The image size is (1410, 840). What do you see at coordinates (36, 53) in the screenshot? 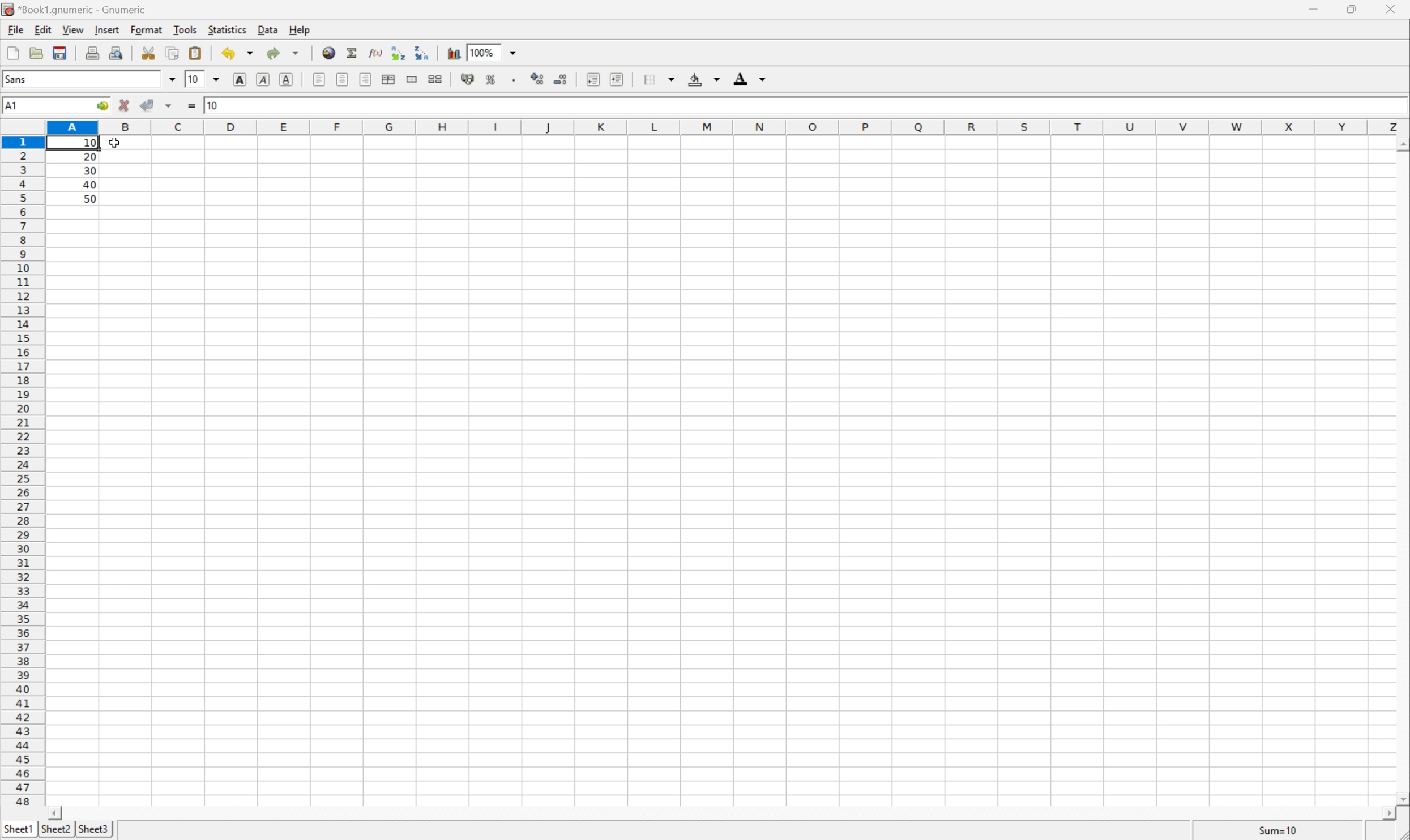
I see `Open a file` at bounding box center [36, 53].